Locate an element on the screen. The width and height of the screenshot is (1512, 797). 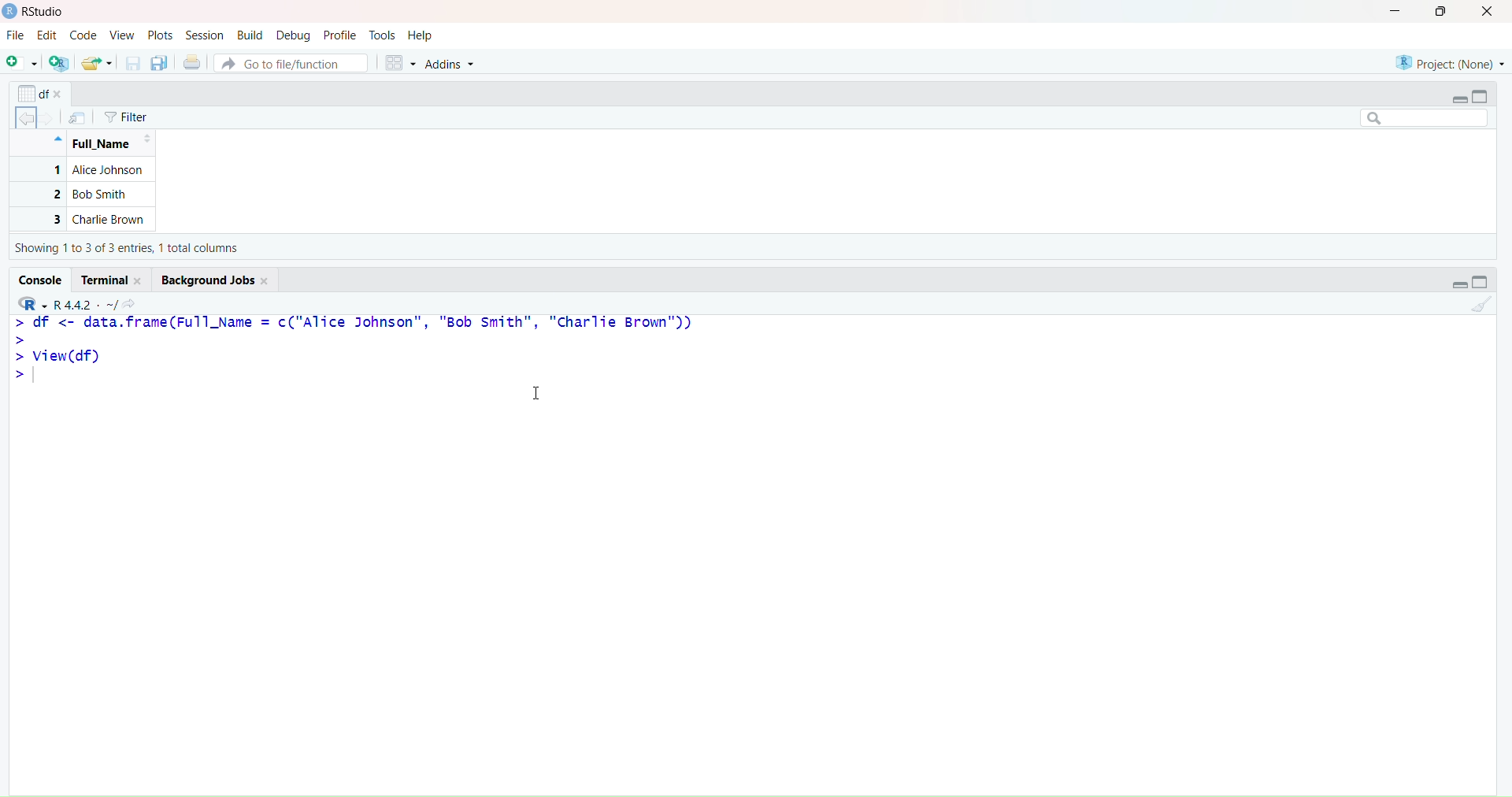
Save current document (Ctrl + S) is located at coordinates (132, 64).